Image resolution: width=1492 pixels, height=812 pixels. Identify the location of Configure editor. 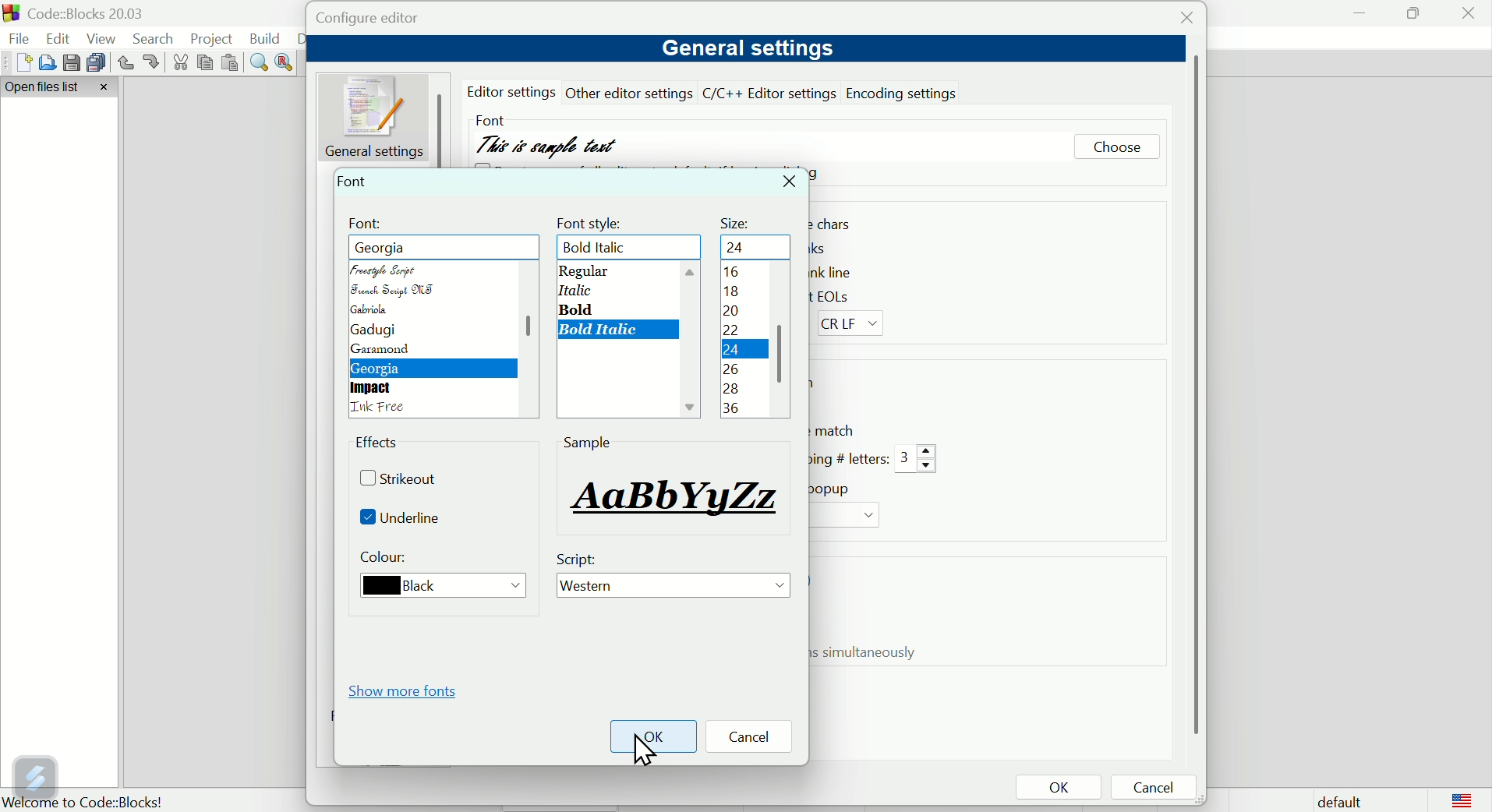
(384, 19).